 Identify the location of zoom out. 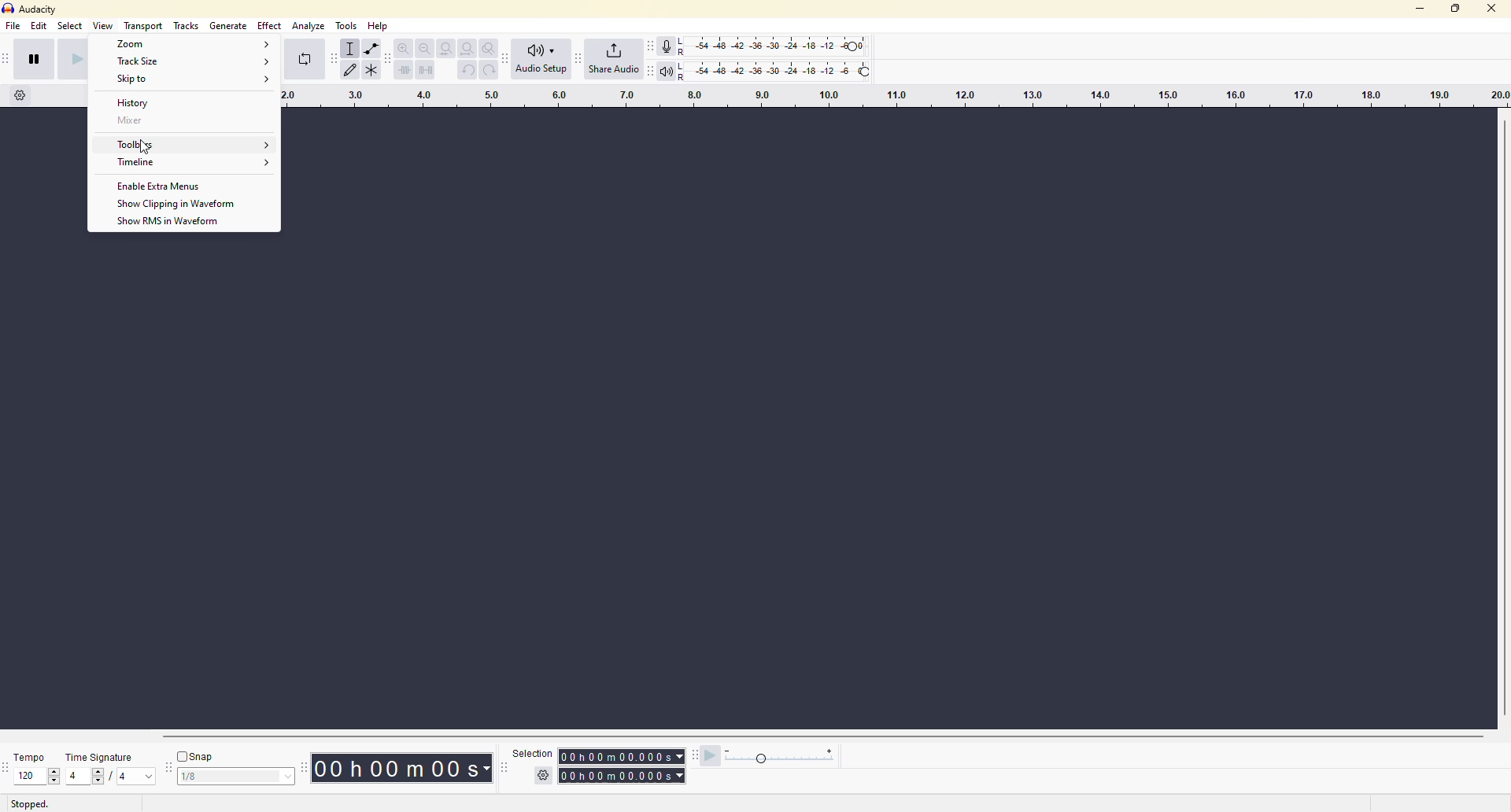
(423, 48).